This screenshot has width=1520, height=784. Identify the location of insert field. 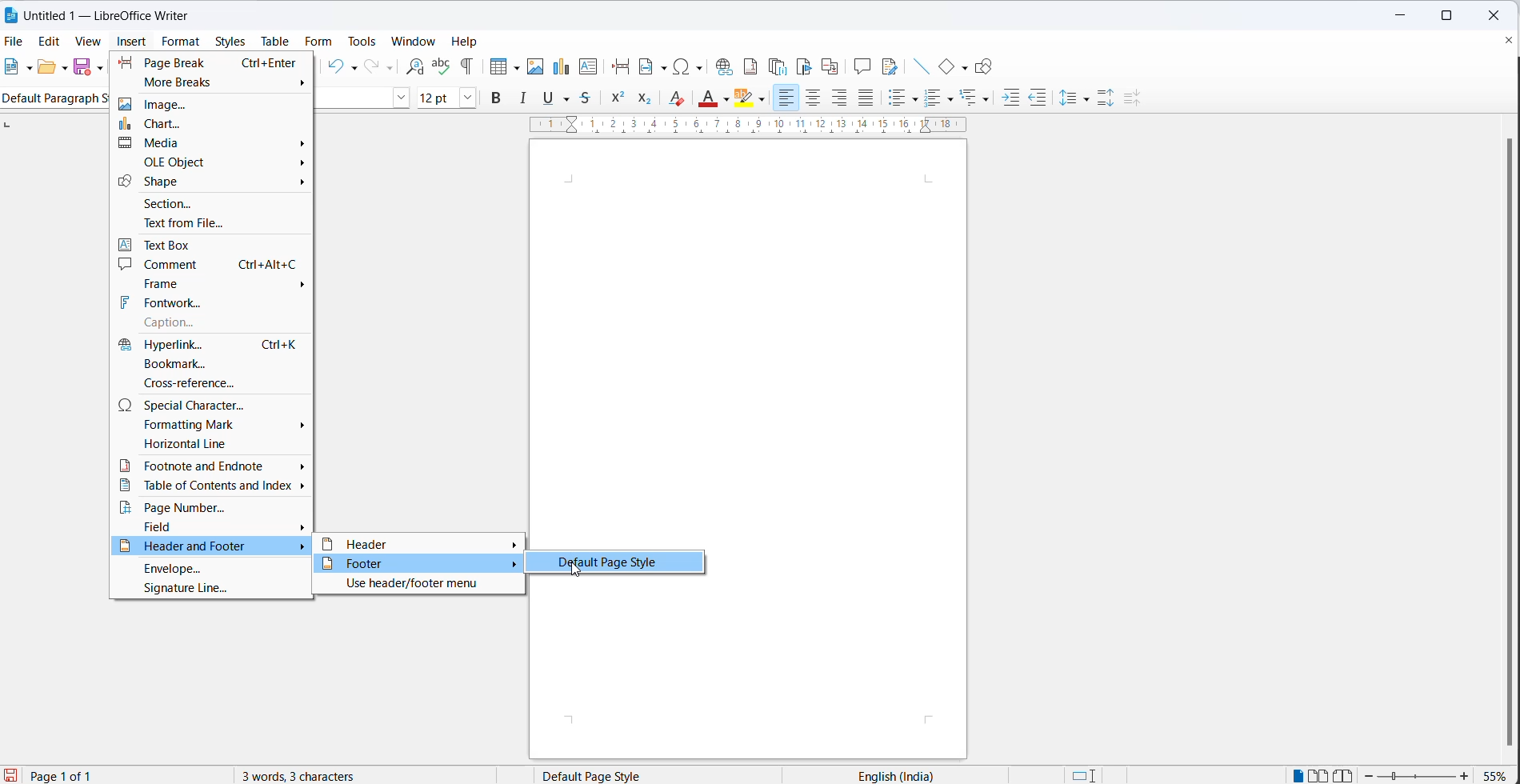
(651, 67).